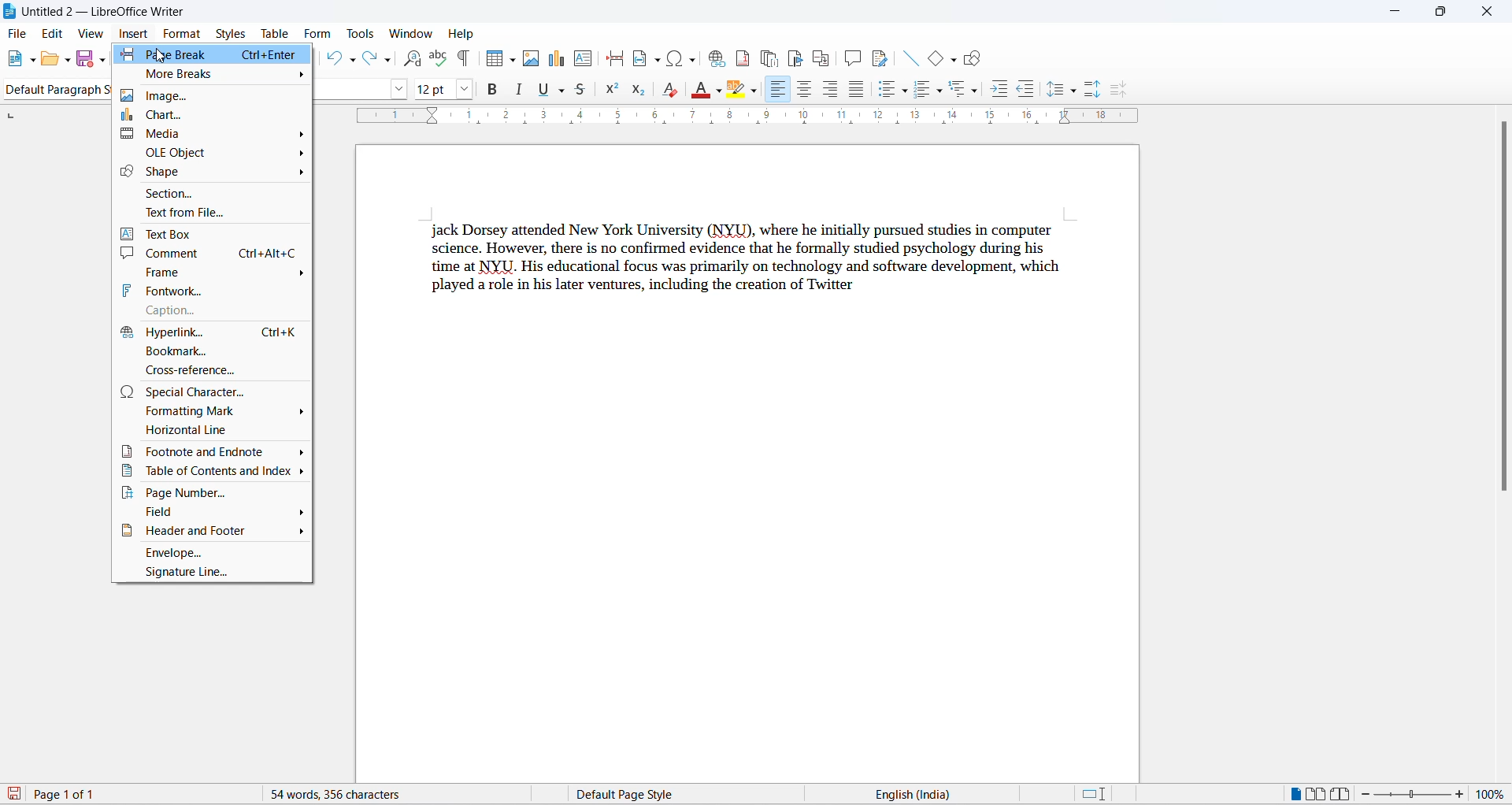 This screenshot has width=1512, height=805. Describe the element at coordinates (1054, 90) in the screenshot. I see `line spacing` at that location.